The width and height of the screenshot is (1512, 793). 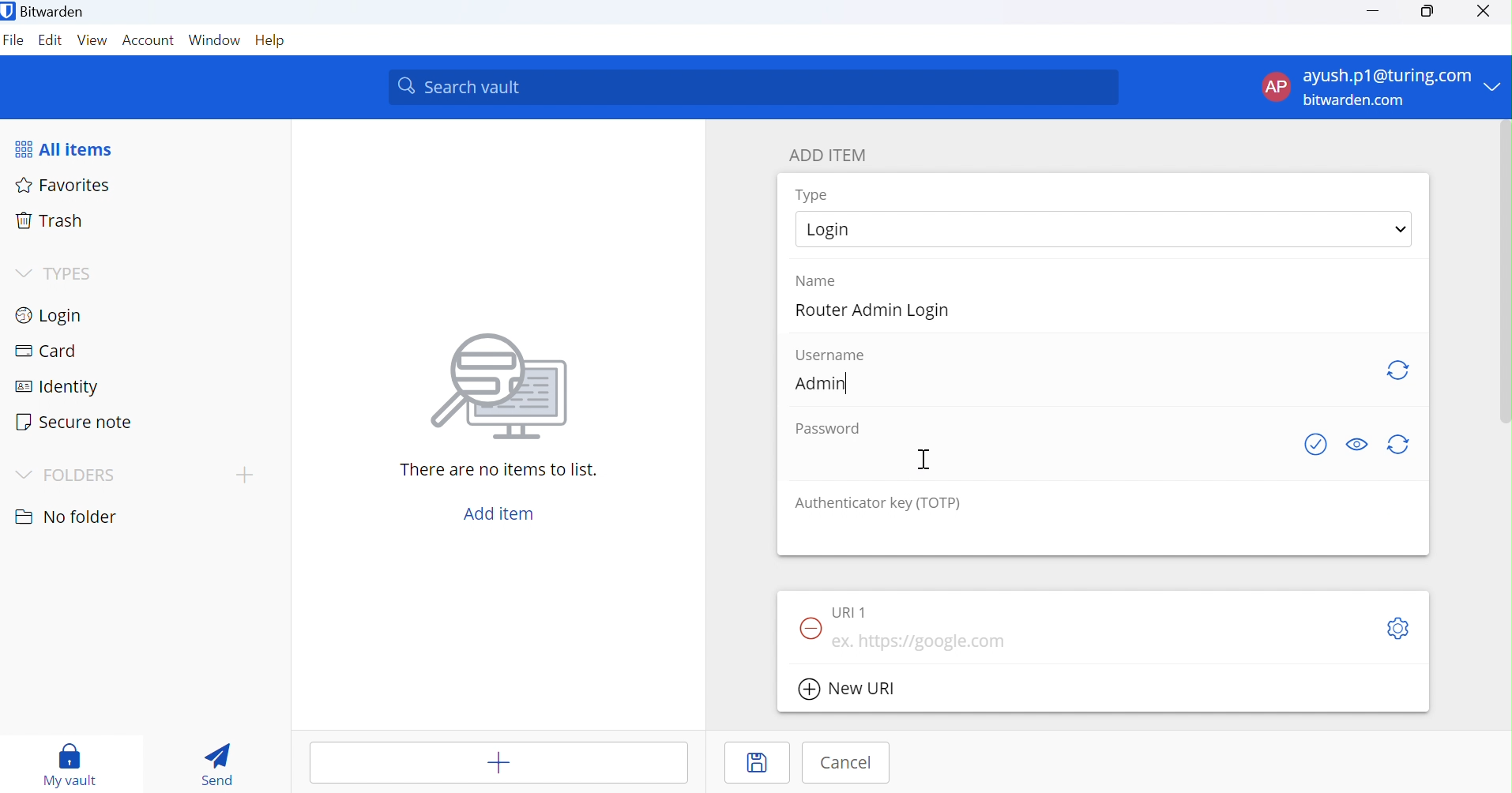 I want to click on Search vaiut, so click(x=754, y=88).